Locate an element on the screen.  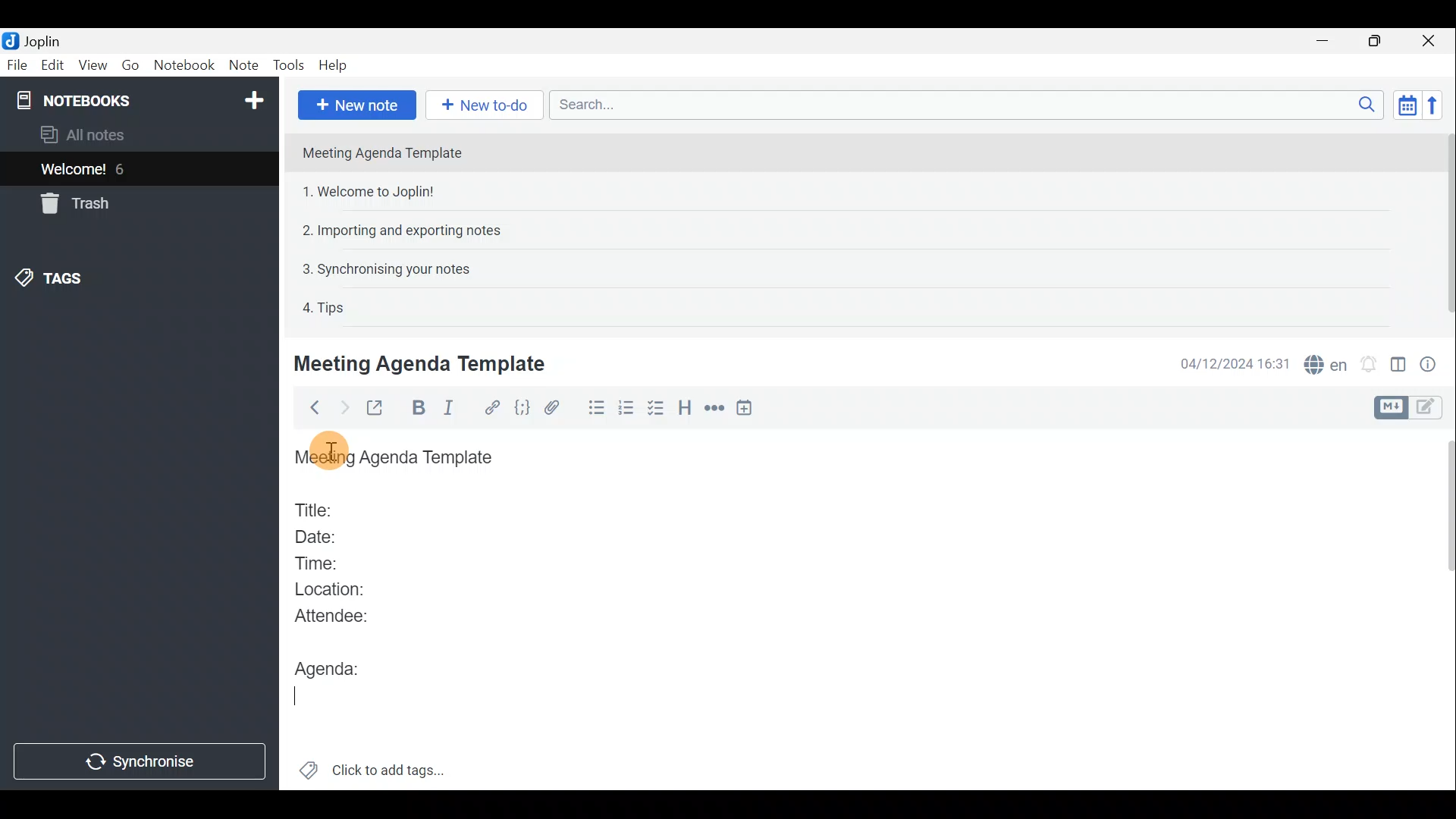
Checkbox is located at coordinates (656, 409).